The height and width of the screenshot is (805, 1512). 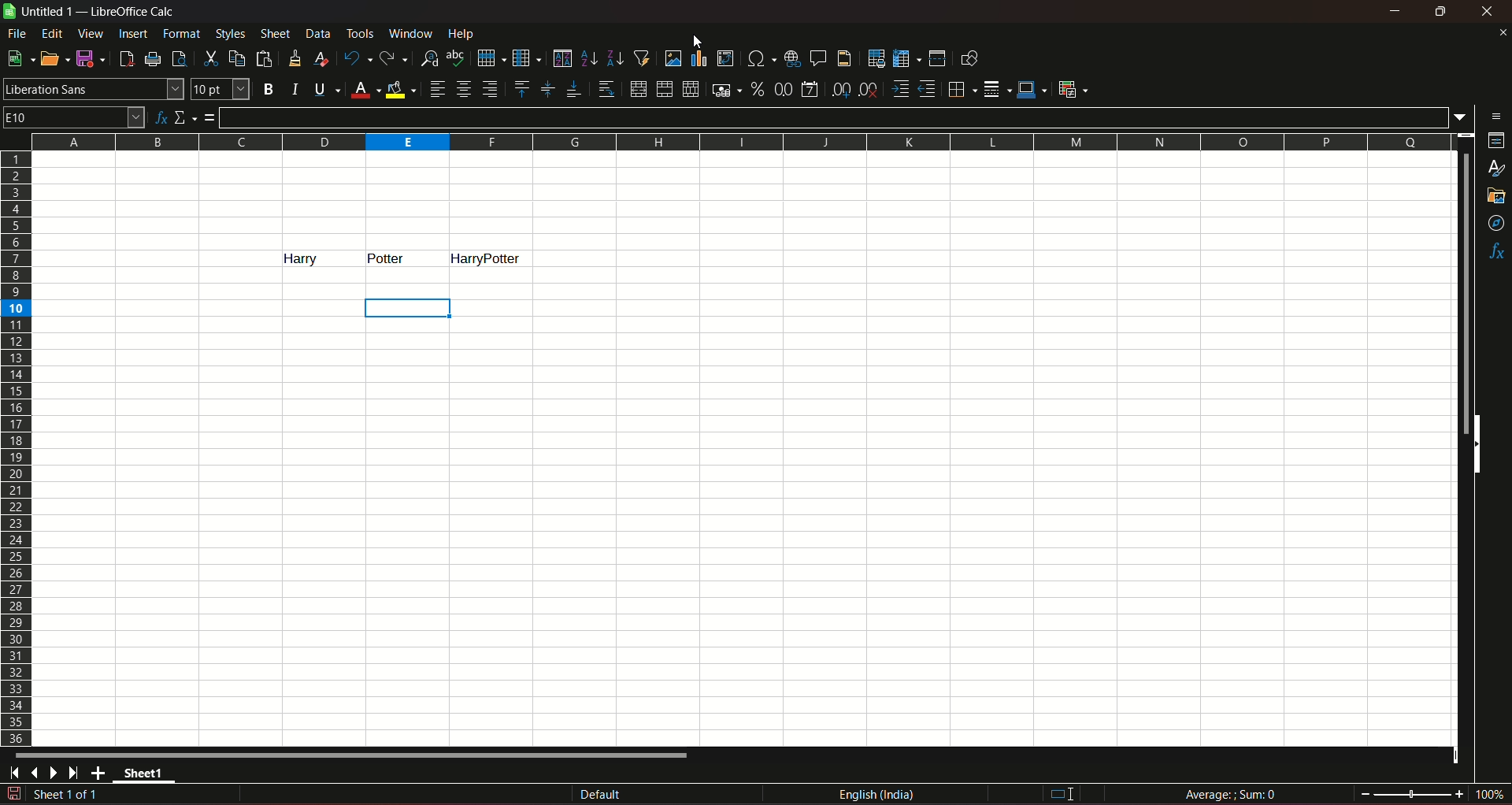 I want to click on columns, so click(x=738, y=139).